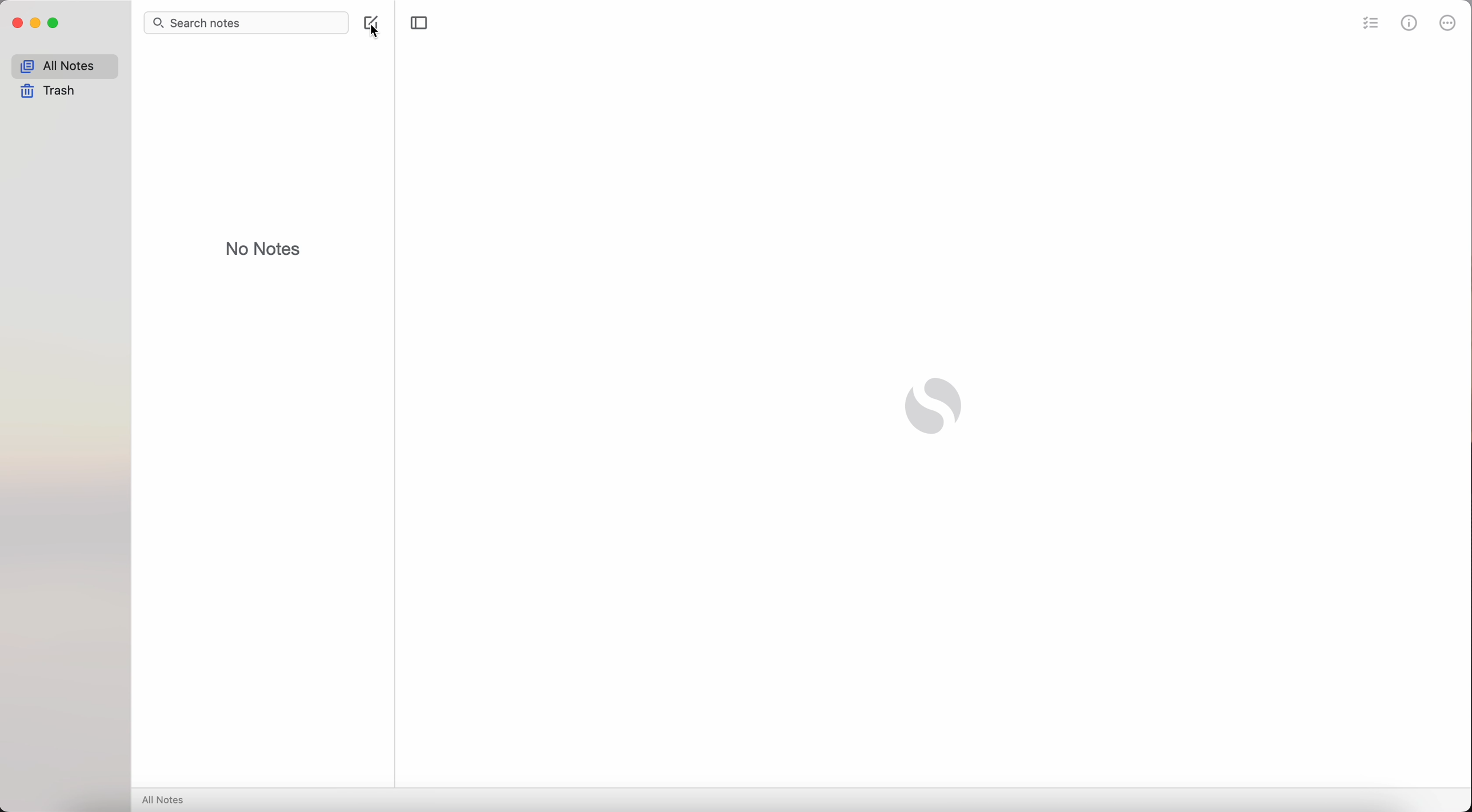  What do you see at coordinates (249, 23) in the screenshot?
I see `search bar` at bounding box center [249, 23].